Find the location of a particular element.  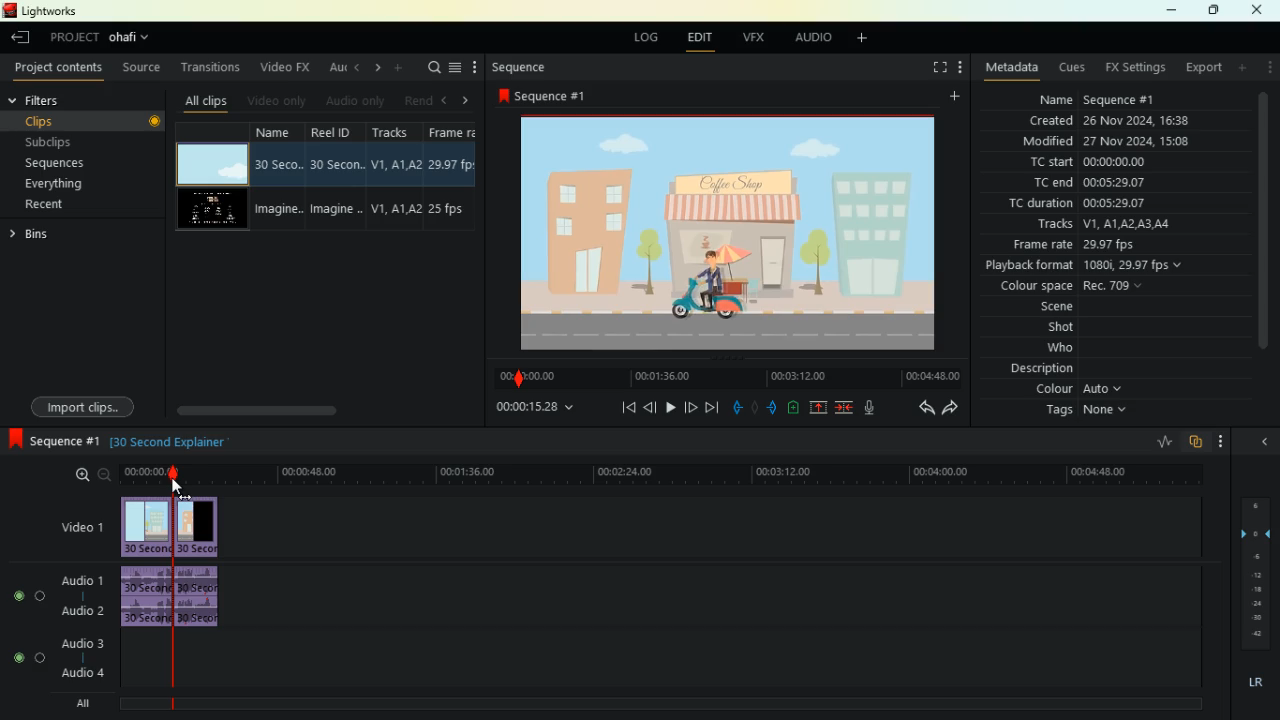

imagine.. is located at coordinates (278, 211).